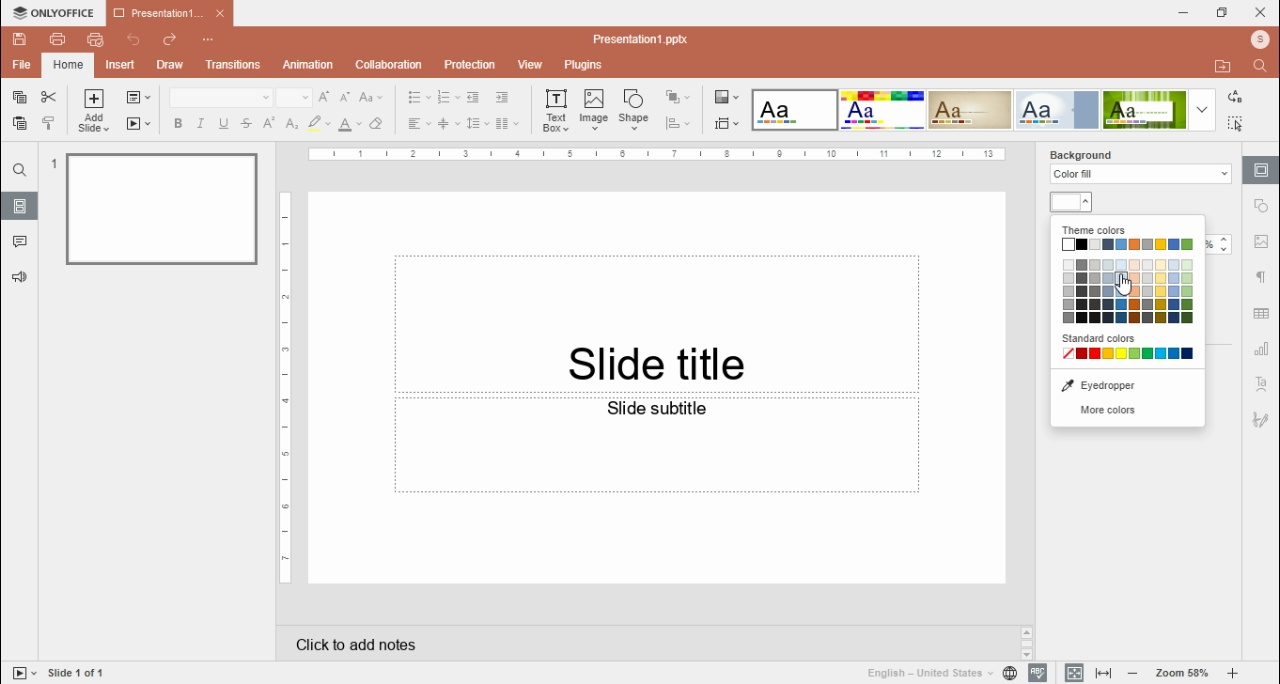  What do you see at coordinates (48, 124) in the screenshot?
I see `copy style` at bounding box center [48, 124].